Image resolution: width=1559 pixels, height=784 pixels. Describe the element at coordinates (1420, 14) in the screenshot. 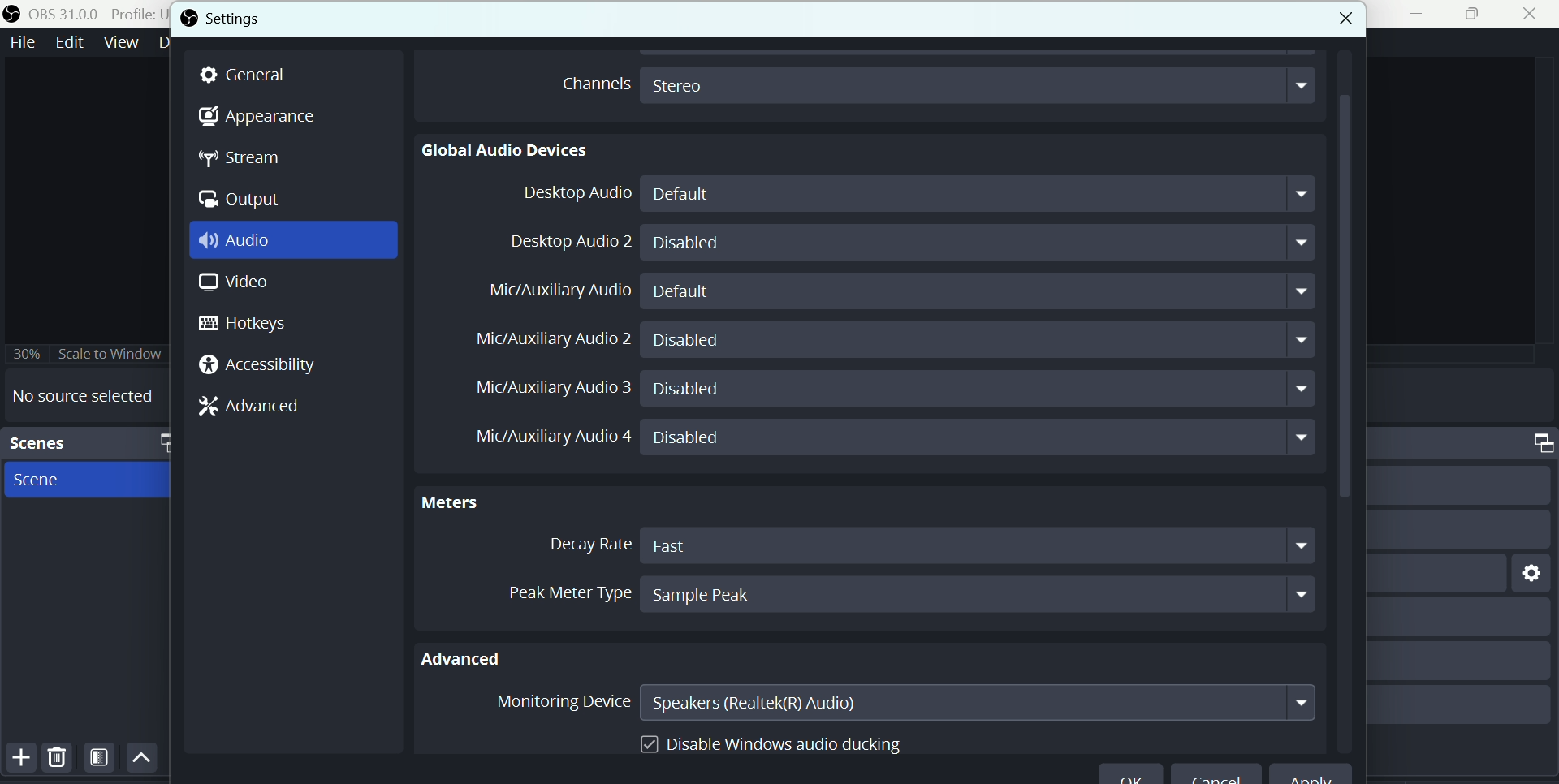

I see `minimise` at that location.